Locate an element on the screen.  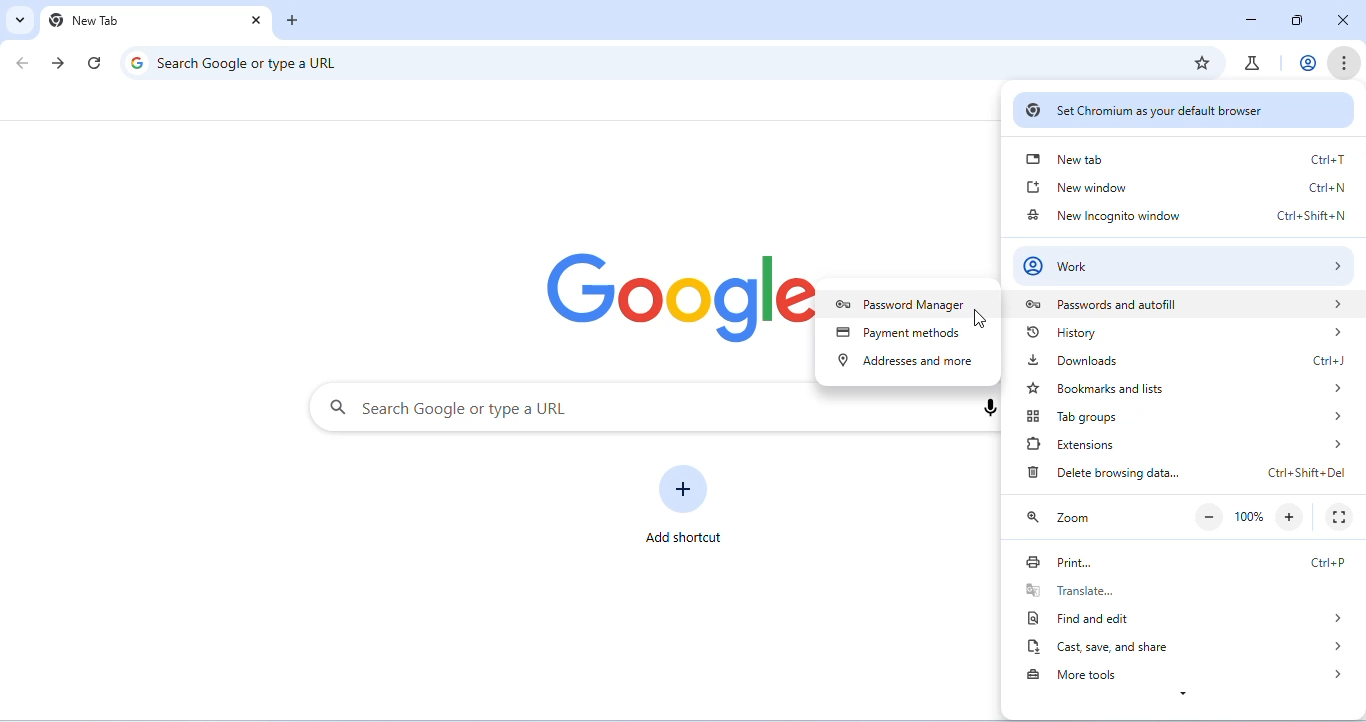
go back is located at coordinates (23, 63).